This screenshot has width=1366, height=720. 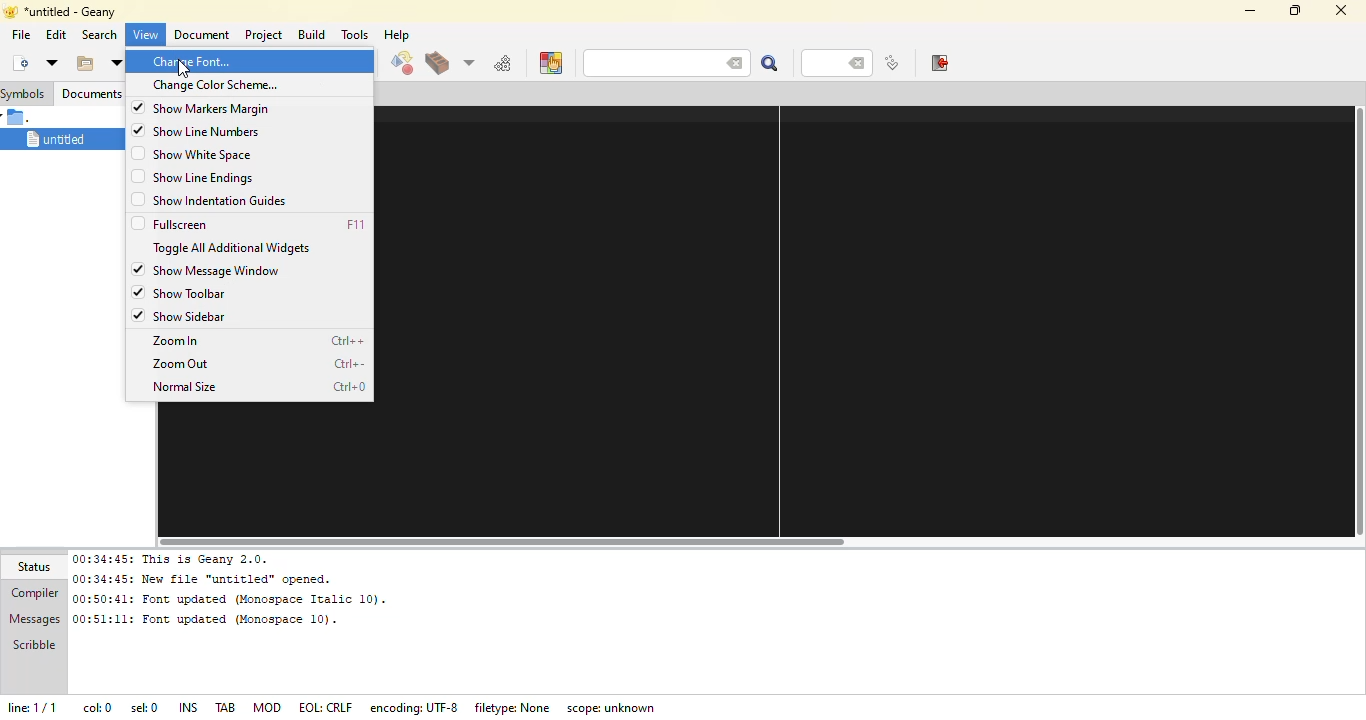 What do you see at coordinates (25, 93) in the screenshot?
I see `symbols` at bounding box center [25, 93].